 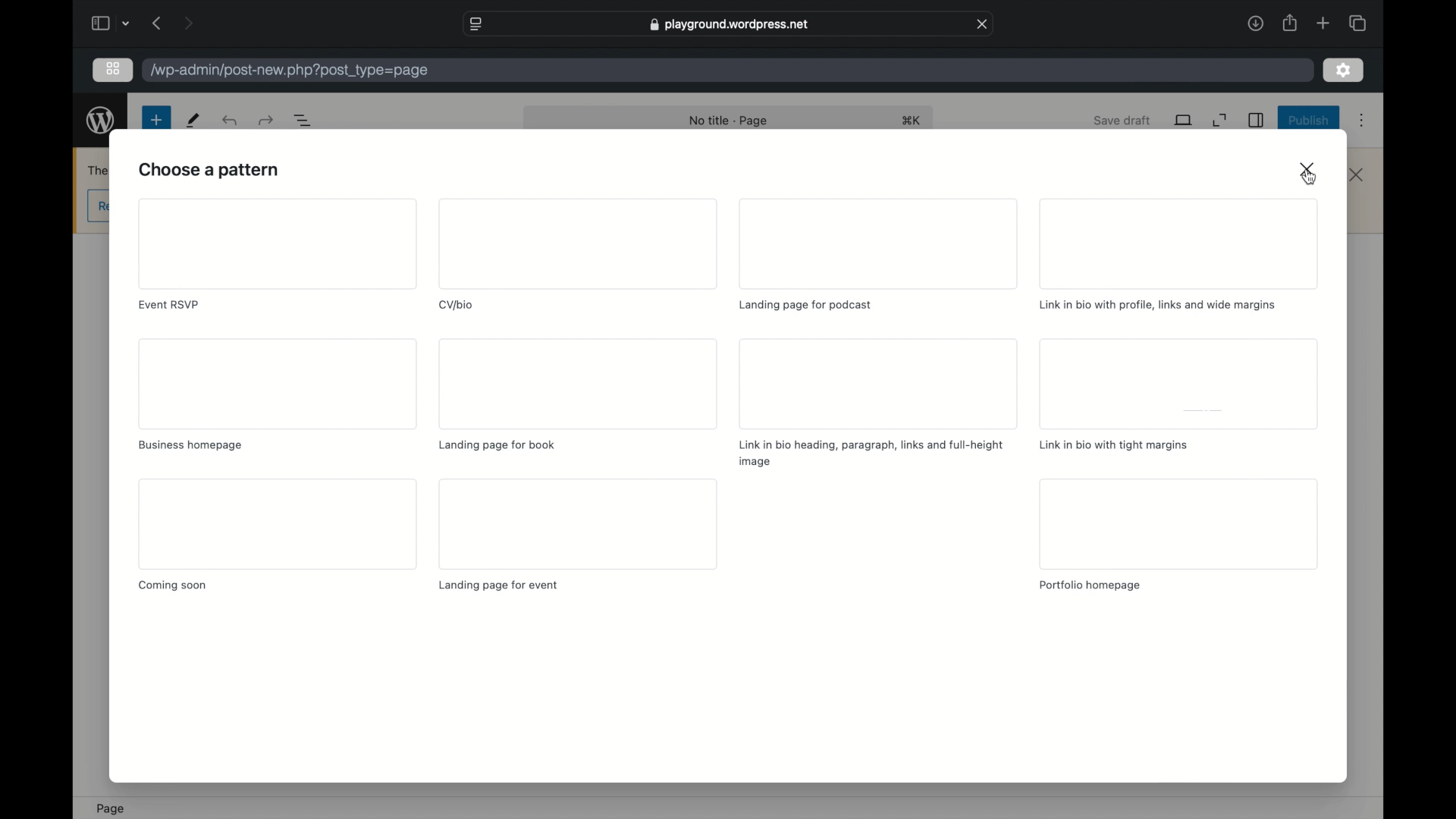 What do you see at coordinates (1159, 306) in the screenshot?
I see `link in bio` at bounding box center [1159, 306].